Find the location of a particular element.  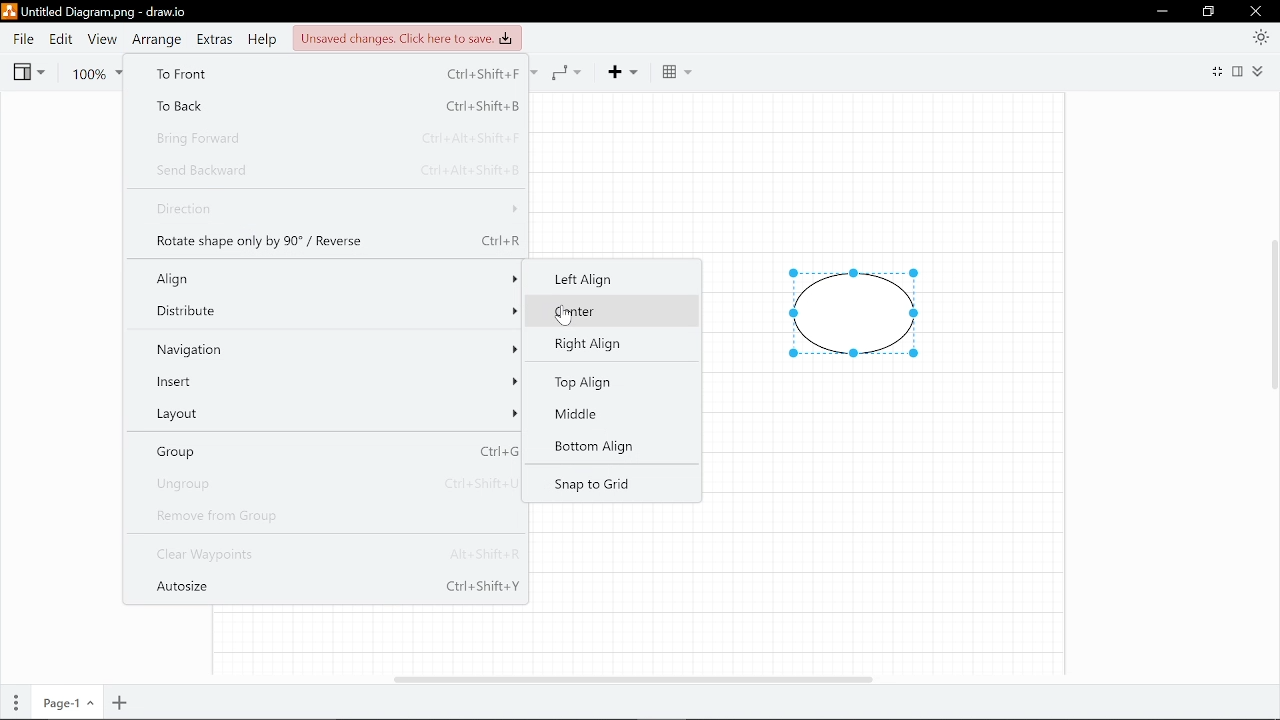

Collapse/expand is located at coordinates (1261, 71).